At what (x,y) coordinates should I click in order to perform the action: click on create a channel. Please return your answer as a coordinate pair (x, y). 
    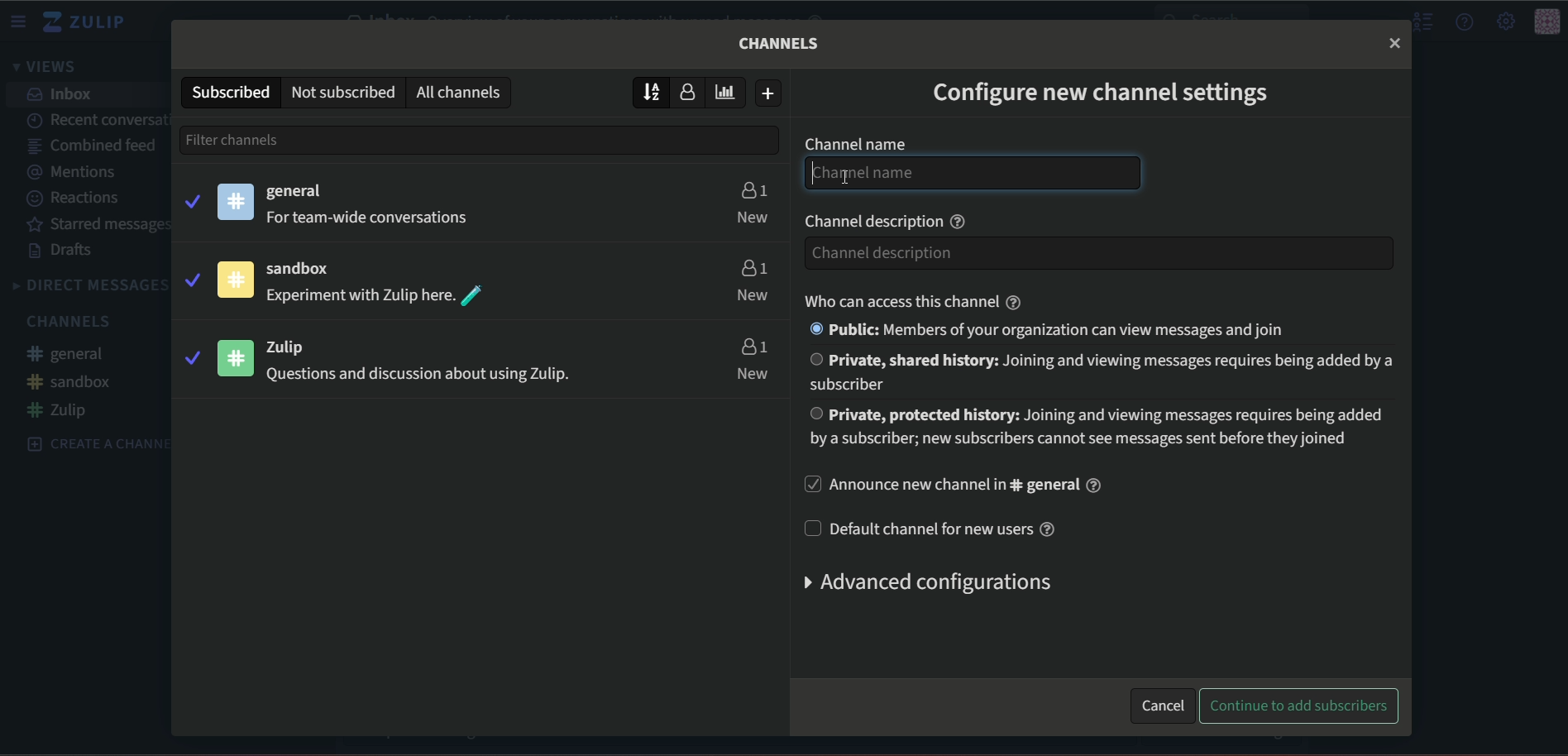
    Looking at the image, I should click on (89, 443).